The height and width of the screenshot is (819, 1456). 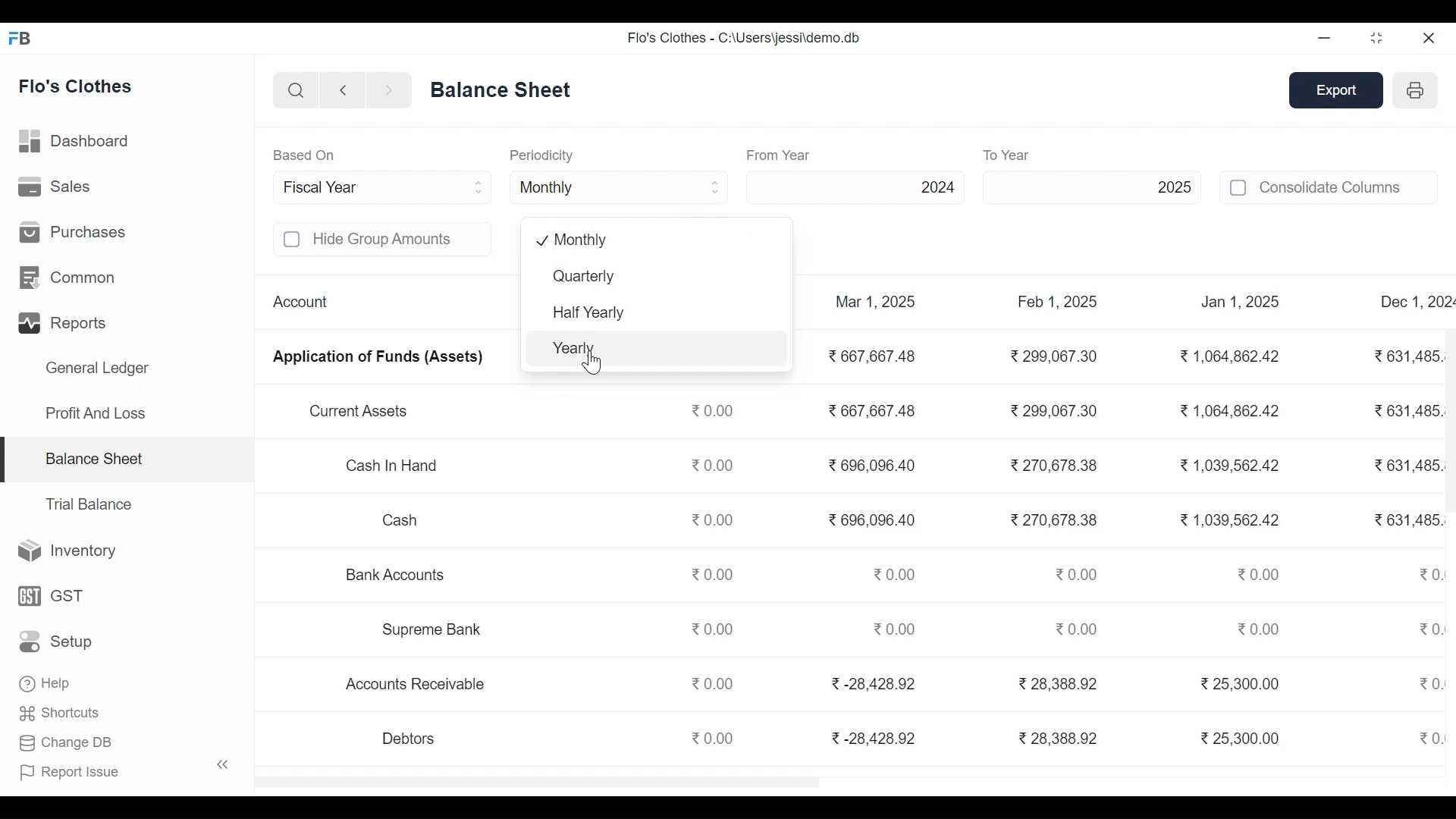 What do you see at coordinates (58, 642) in the screenshot?
I see `setup` at bounding box center [58, 642].